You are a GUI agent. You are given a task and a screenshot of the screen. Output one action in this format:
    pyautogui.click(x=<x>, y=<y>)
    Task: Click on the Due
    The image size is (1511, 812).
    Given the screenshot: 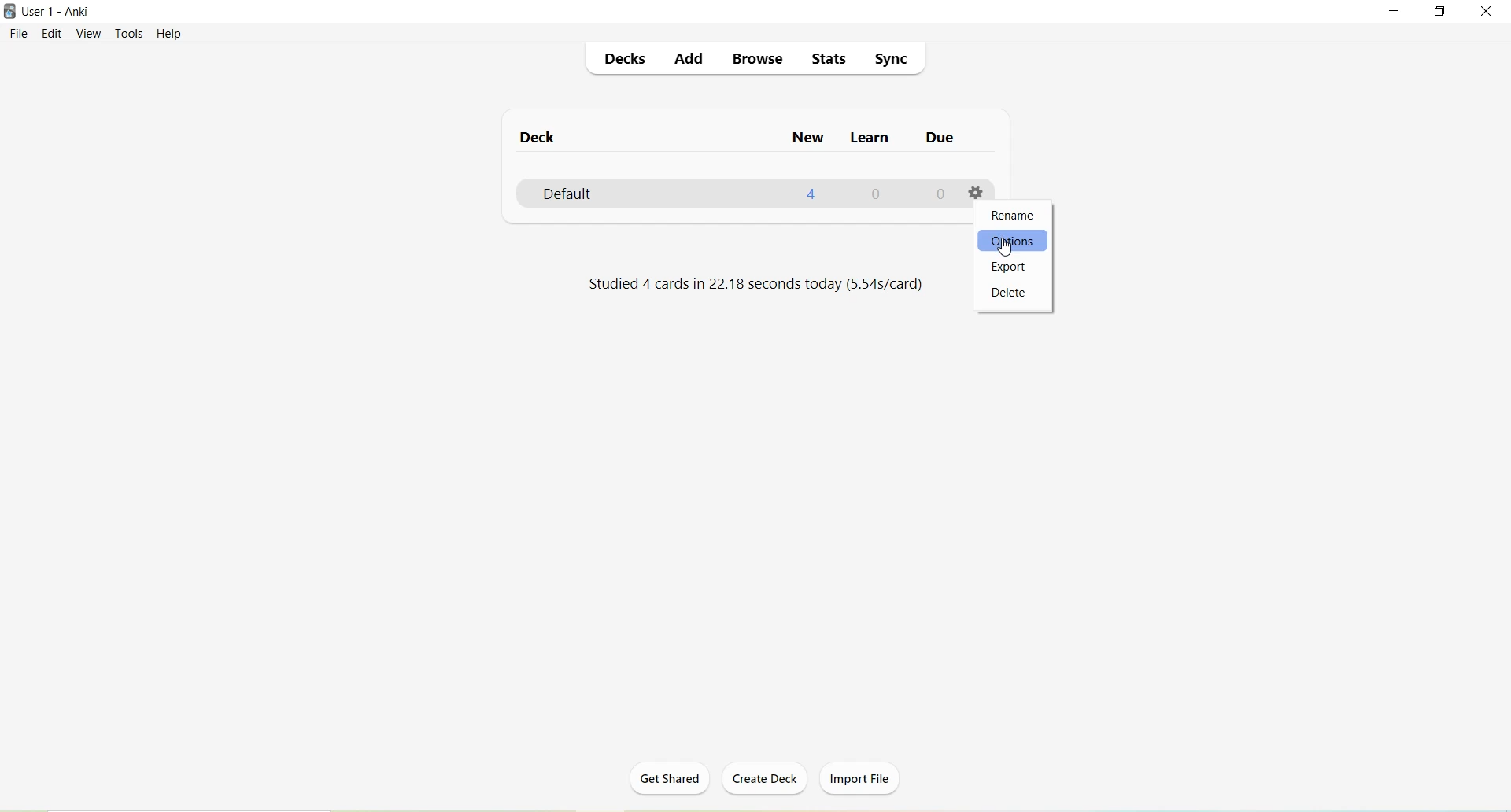 What is the action you would take?
    pyautogui.click(x=942, y=138)
    